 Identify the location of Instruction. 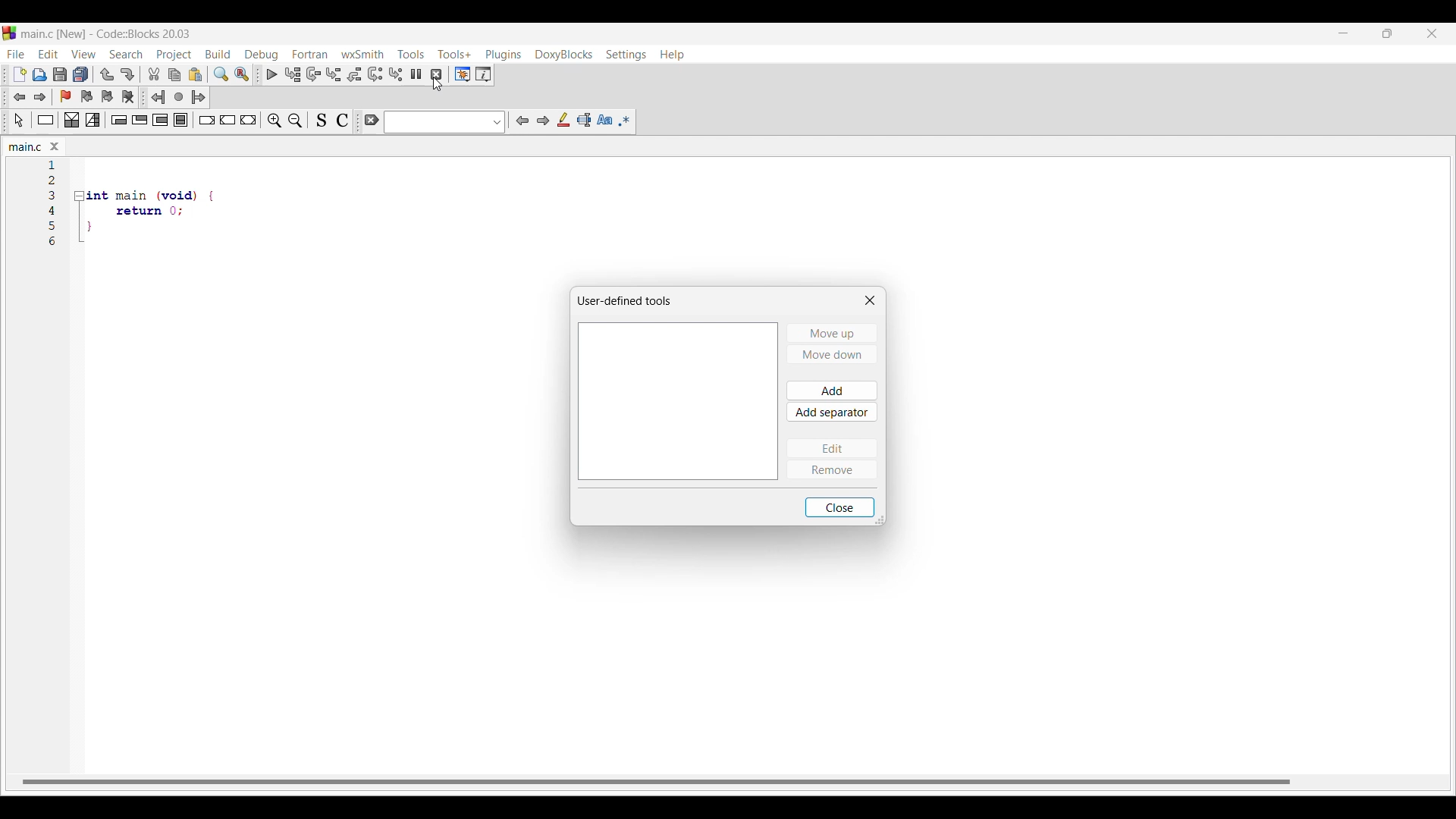
(45, 120).